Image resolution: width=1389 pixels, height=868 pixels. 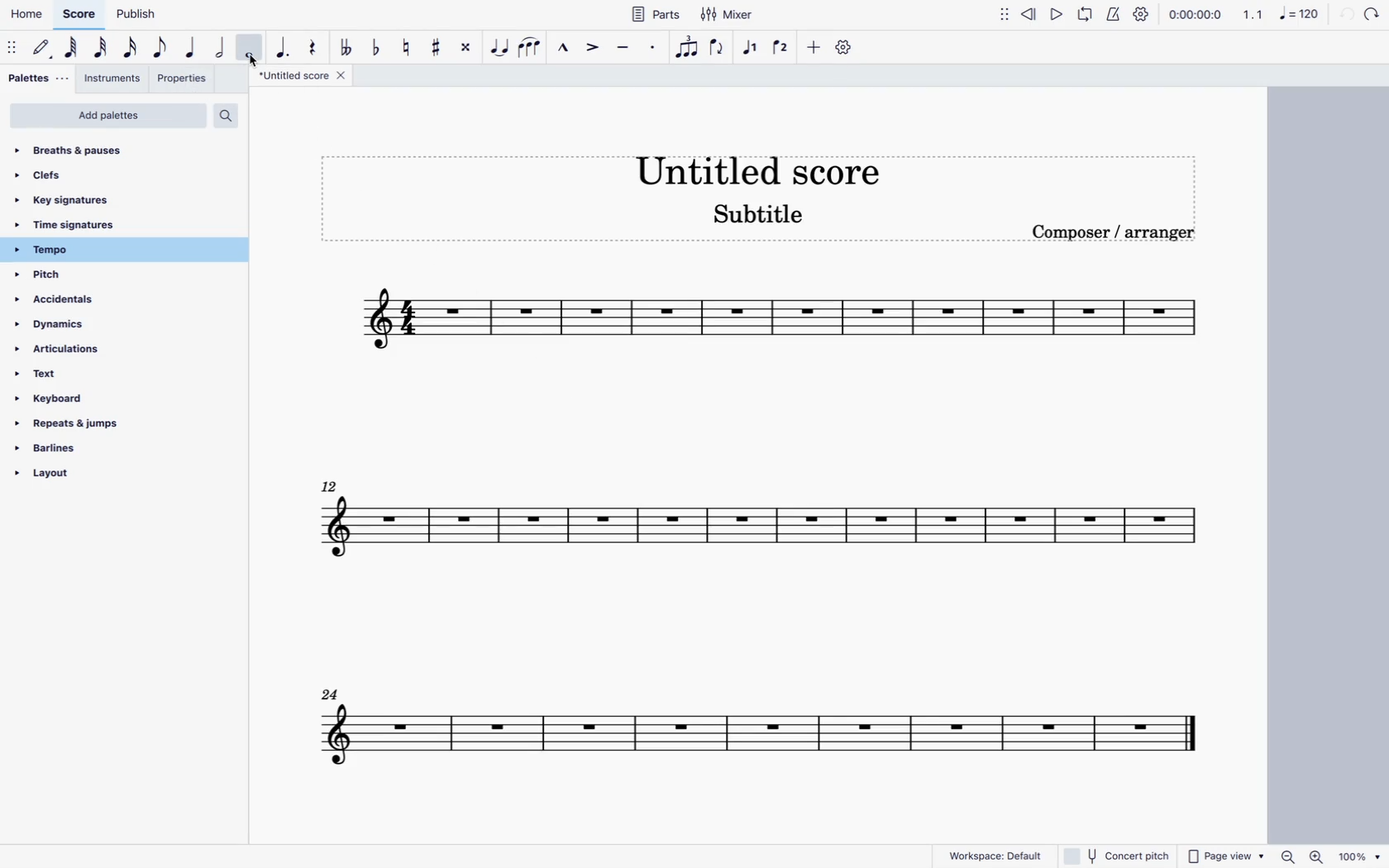 What do you see at coordinates (106, 117) in the screenshot?
I see `add palettes` at bounding box center [106, 117].